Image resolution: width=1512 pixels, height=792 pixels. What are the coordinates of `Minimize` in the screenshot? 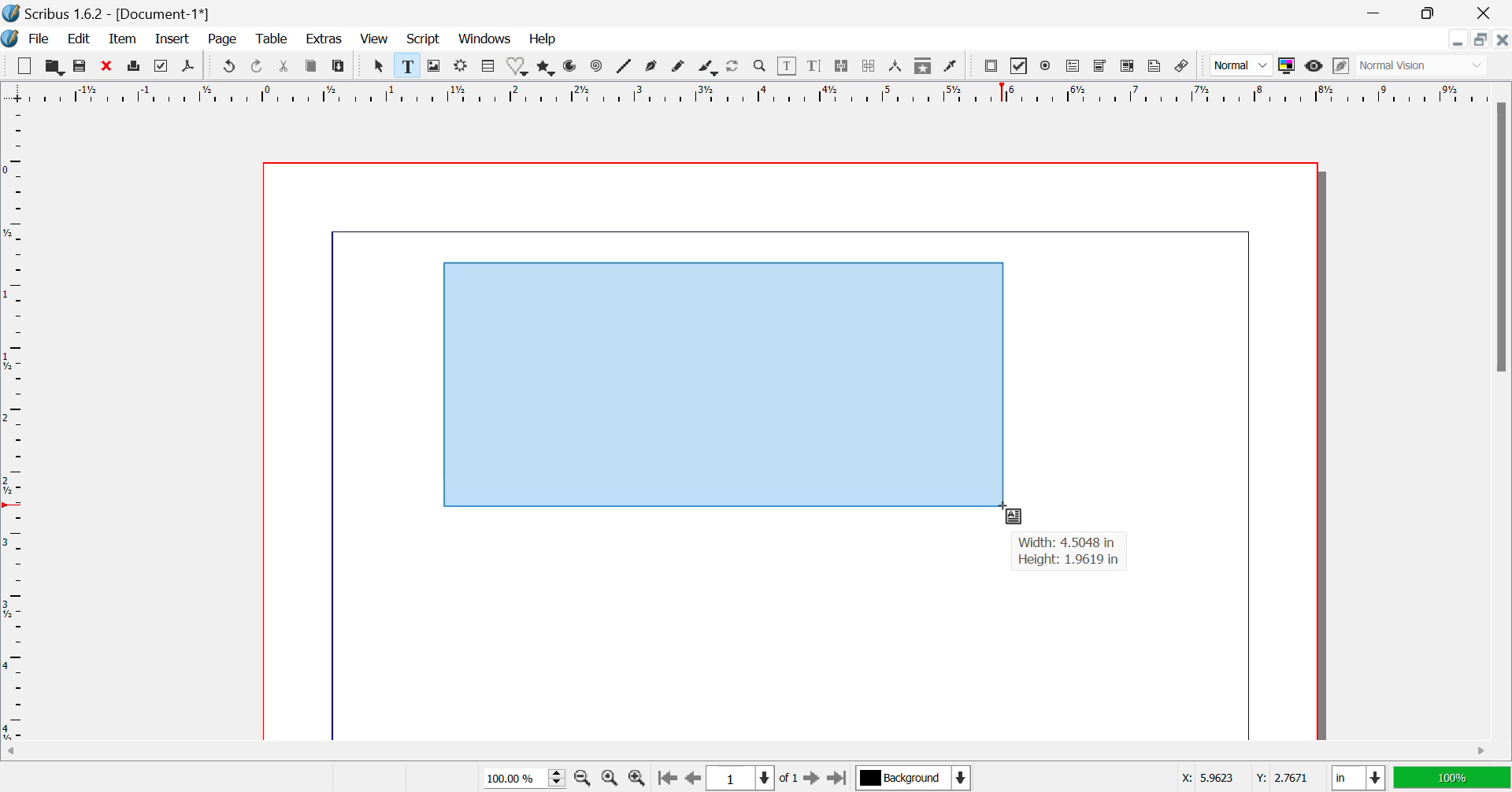 It's located at (1429, 12).